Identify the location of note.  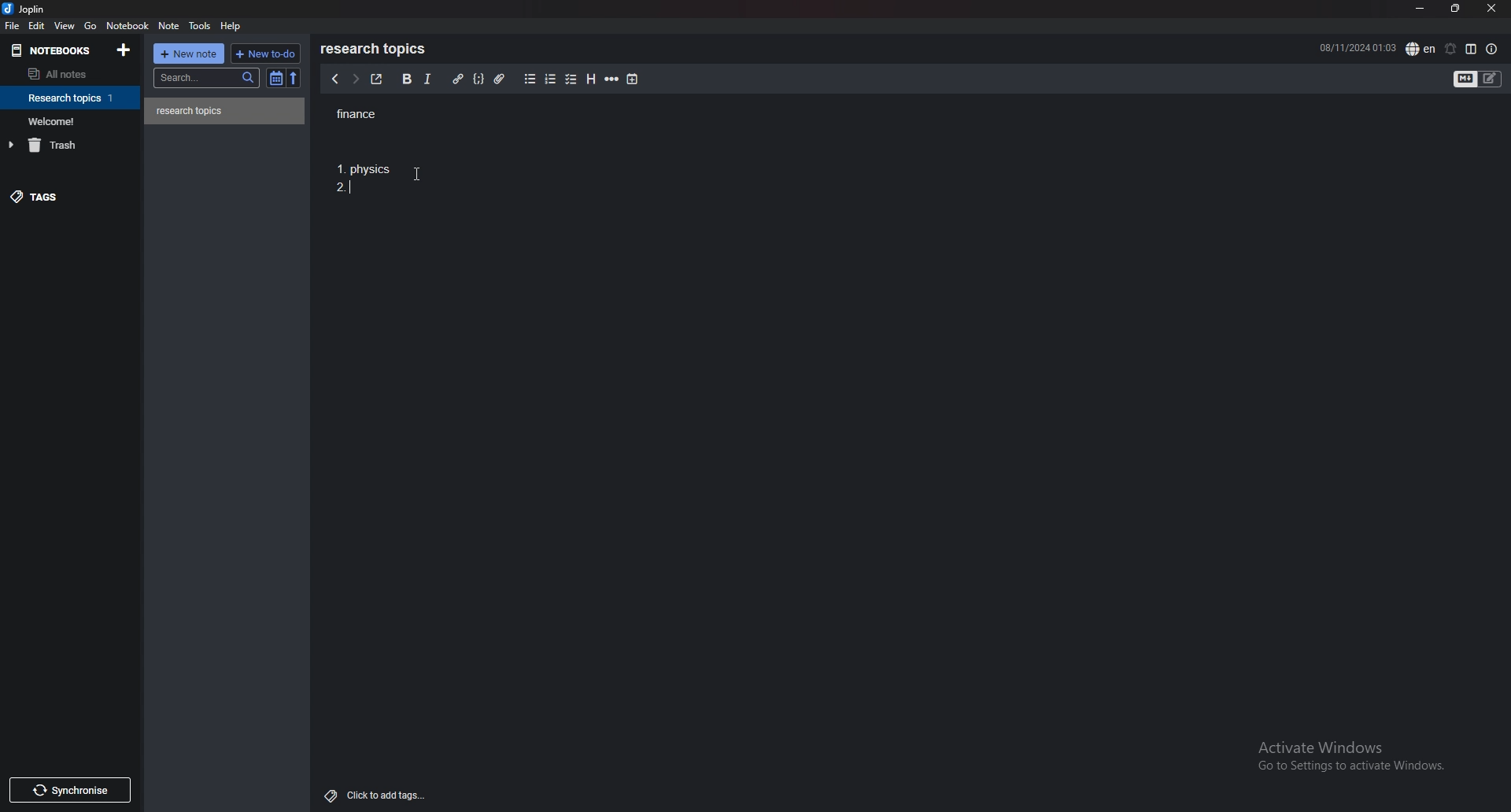
(225, 111).